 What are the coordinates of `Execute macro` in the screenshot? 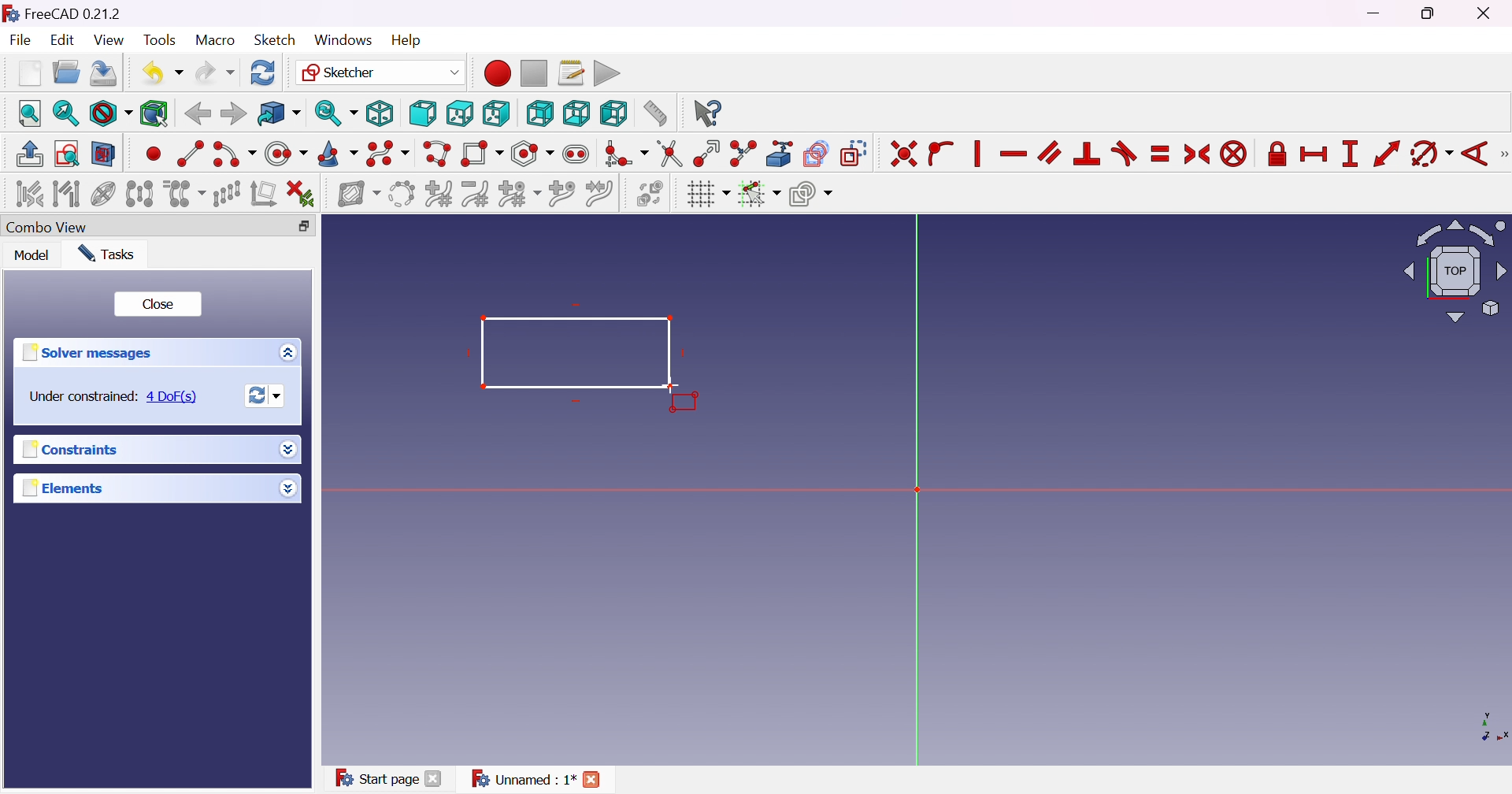 It's located at (608, 72).